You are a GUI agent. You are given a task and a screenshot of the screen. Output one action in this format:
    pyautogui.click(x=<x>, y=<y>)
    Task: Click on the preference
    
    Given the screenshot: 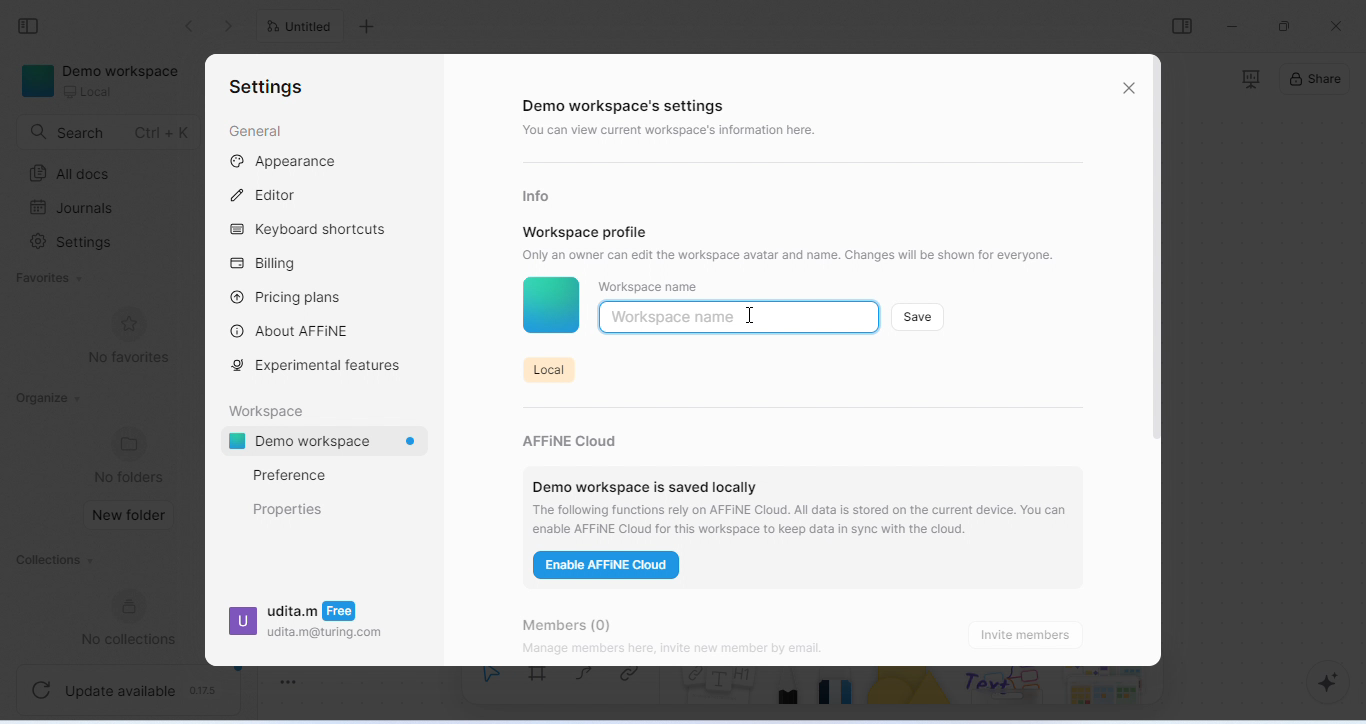 What is the action you would take?
    pyautogui.click(x=289, y=475)
    